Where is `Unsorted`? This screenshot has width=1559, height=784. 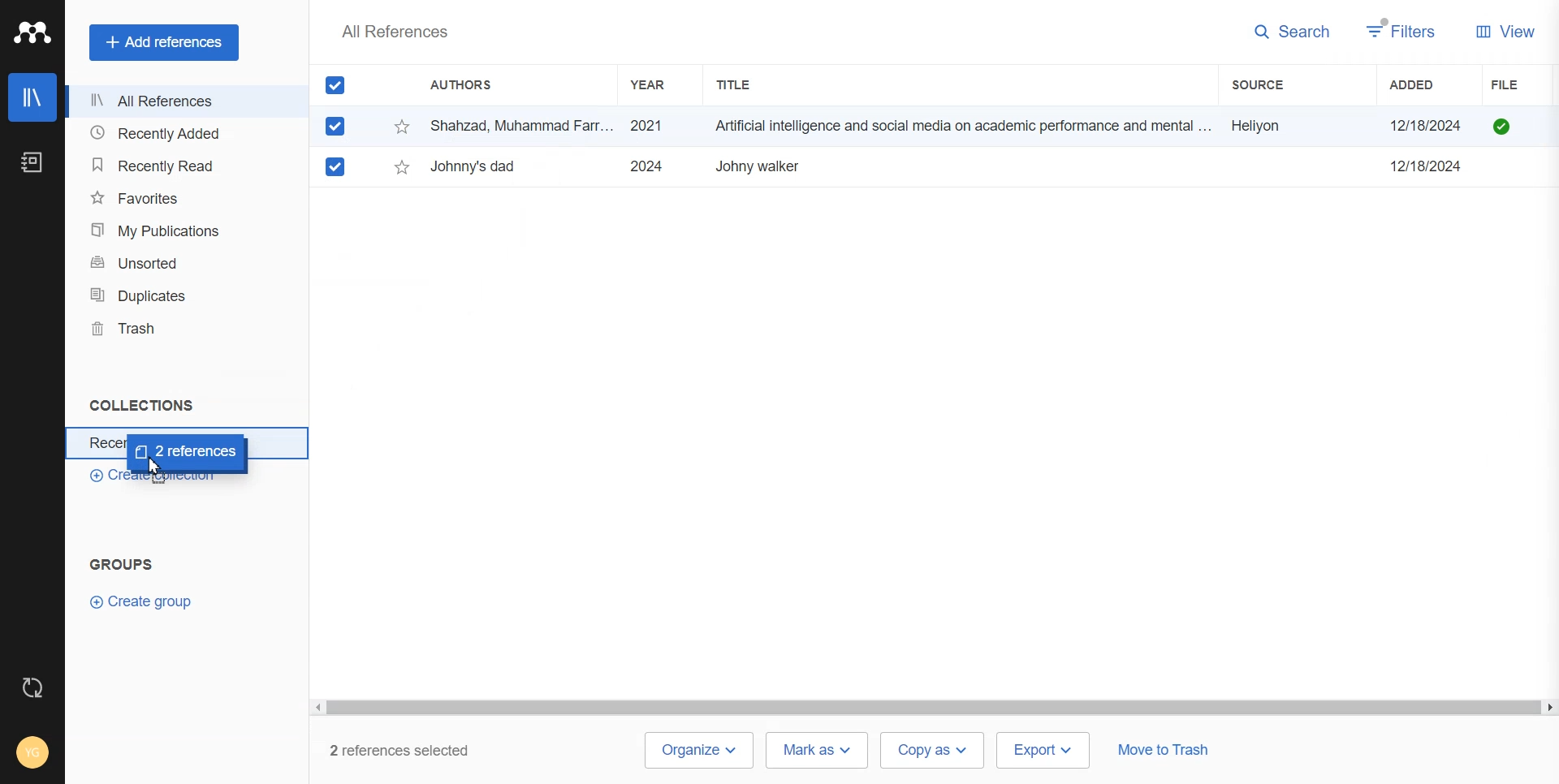
Unsorted is located at coordinates (181, 263).